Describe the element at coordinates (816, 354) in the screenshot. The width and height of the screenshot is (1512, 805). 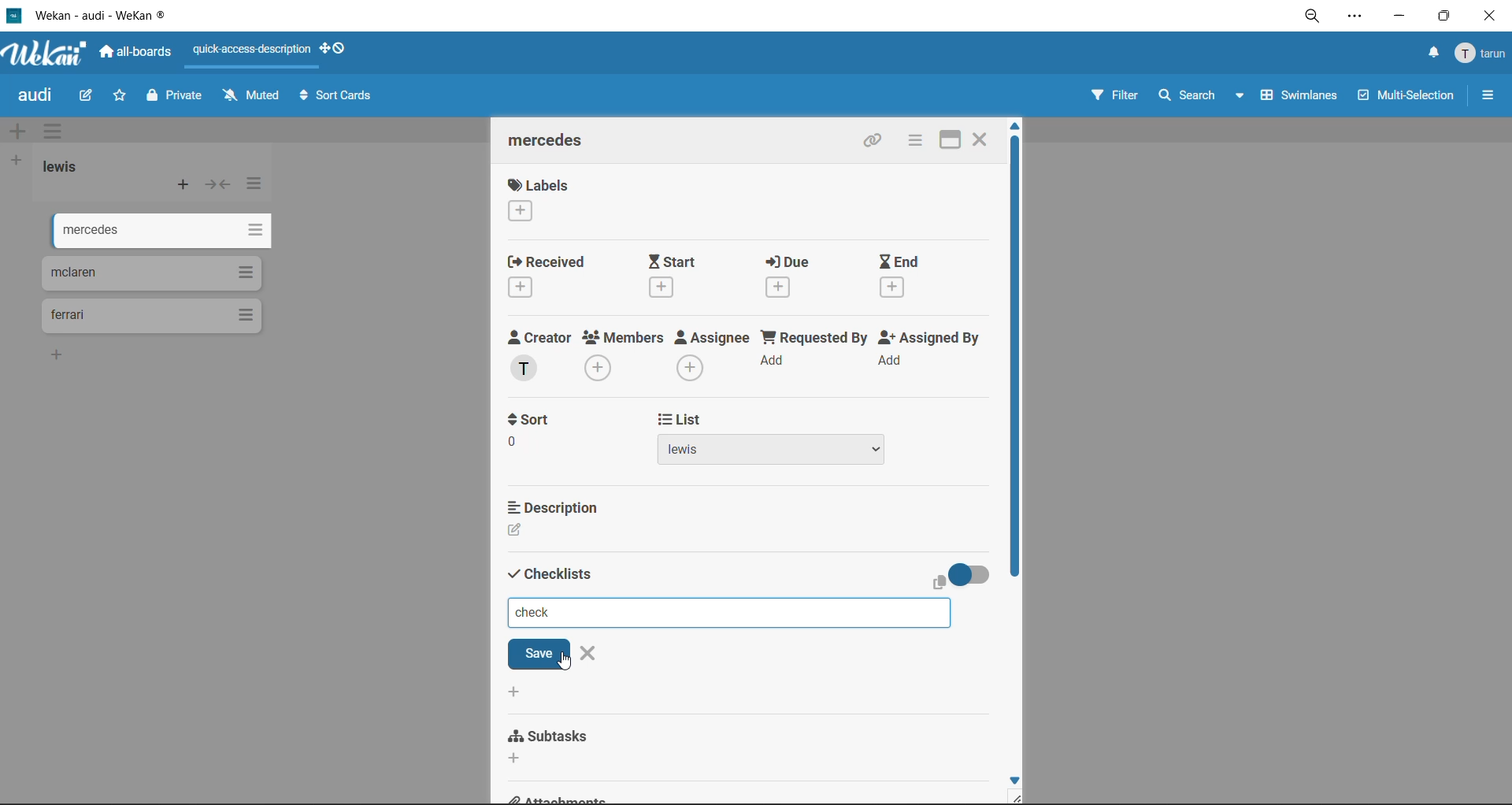
I see `requested by` at that location.